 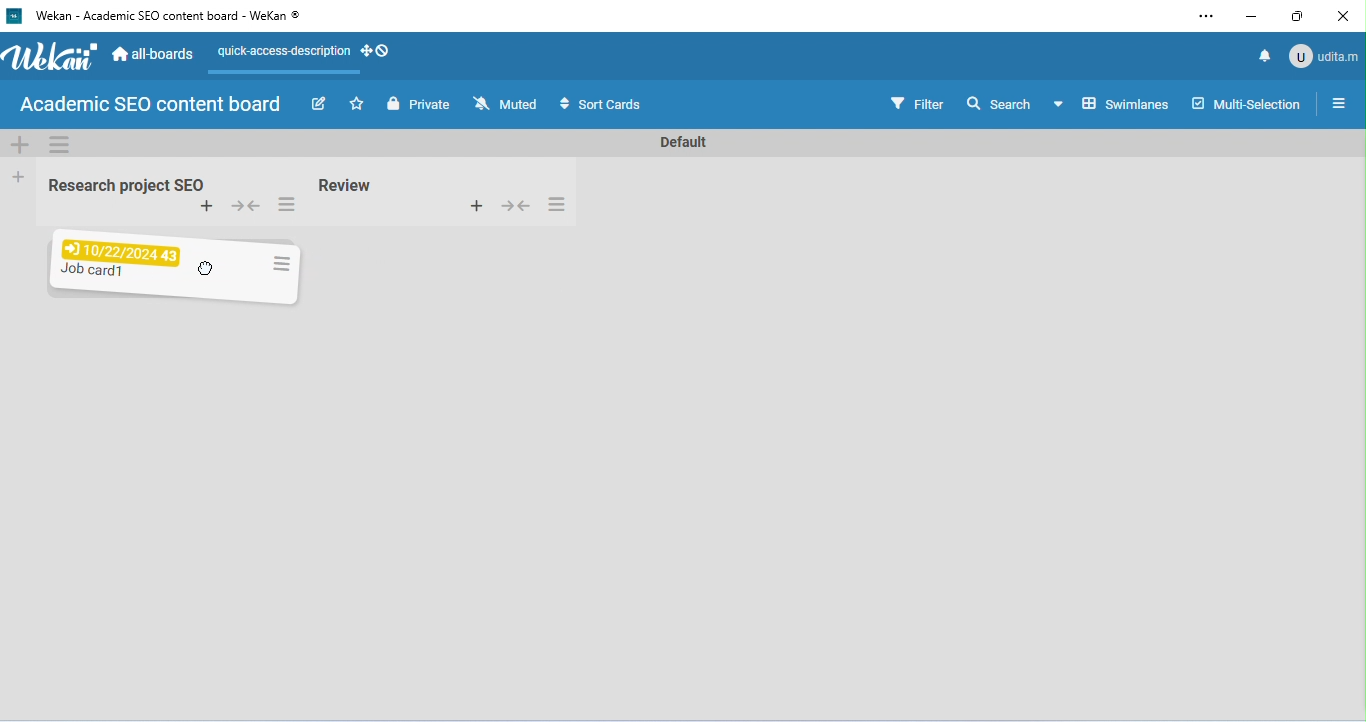 I want to click on maximize, so click(x=1299, y=16).